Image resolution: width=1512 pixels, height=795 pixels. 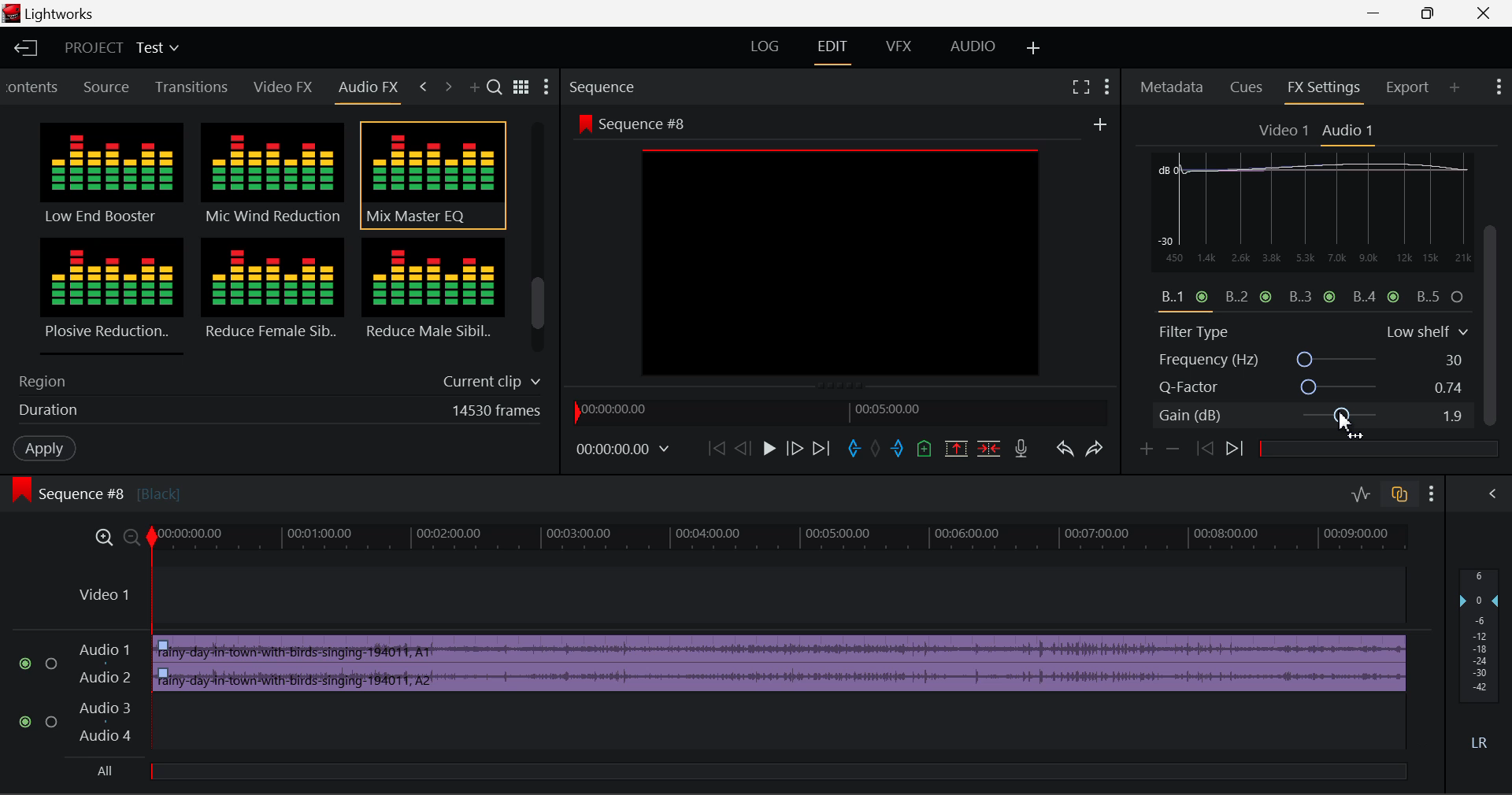 I want to click on Show Settings, so click(x=1435, y=494).